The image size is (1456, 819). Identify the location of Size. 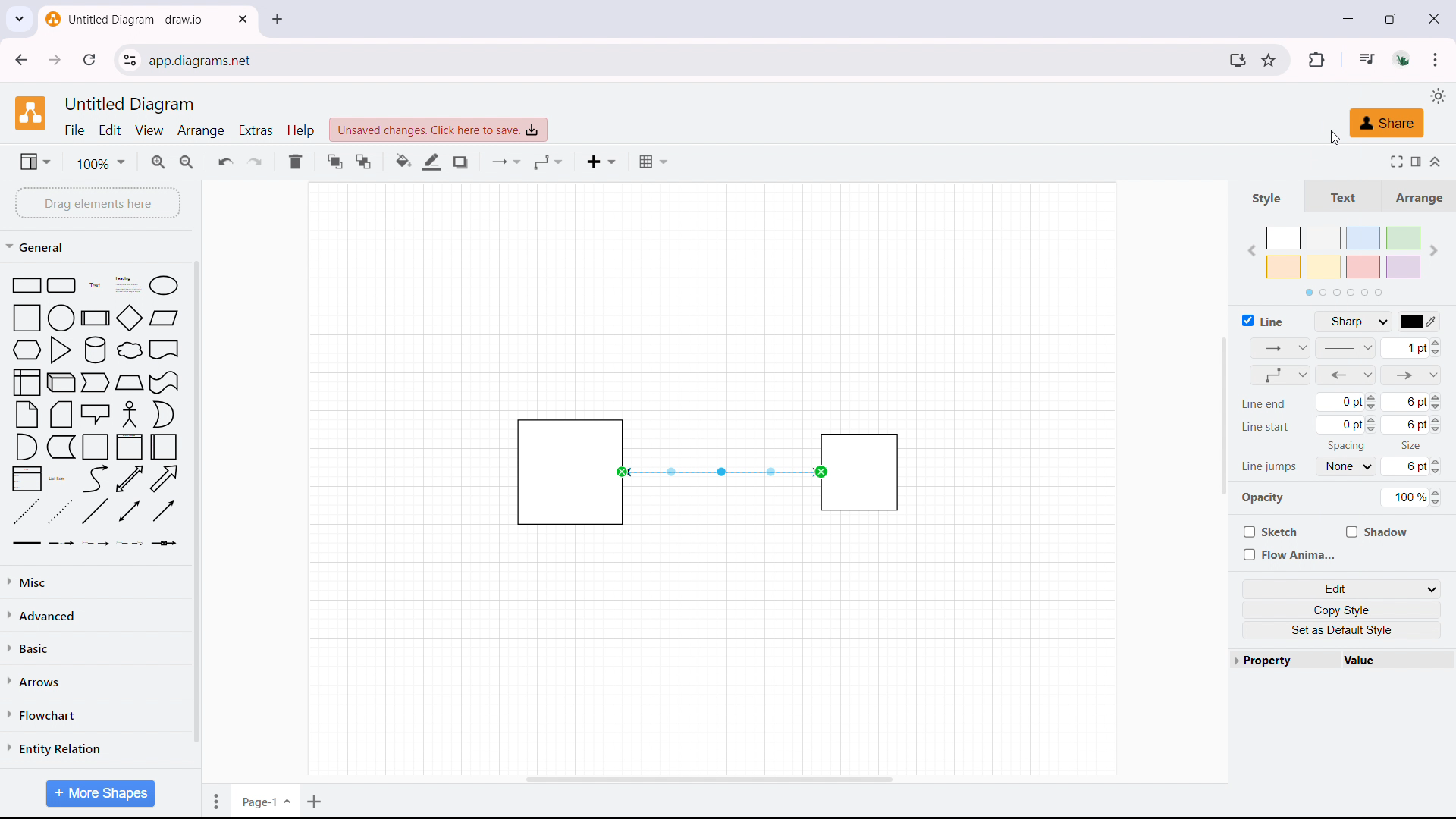
(1408, 444).